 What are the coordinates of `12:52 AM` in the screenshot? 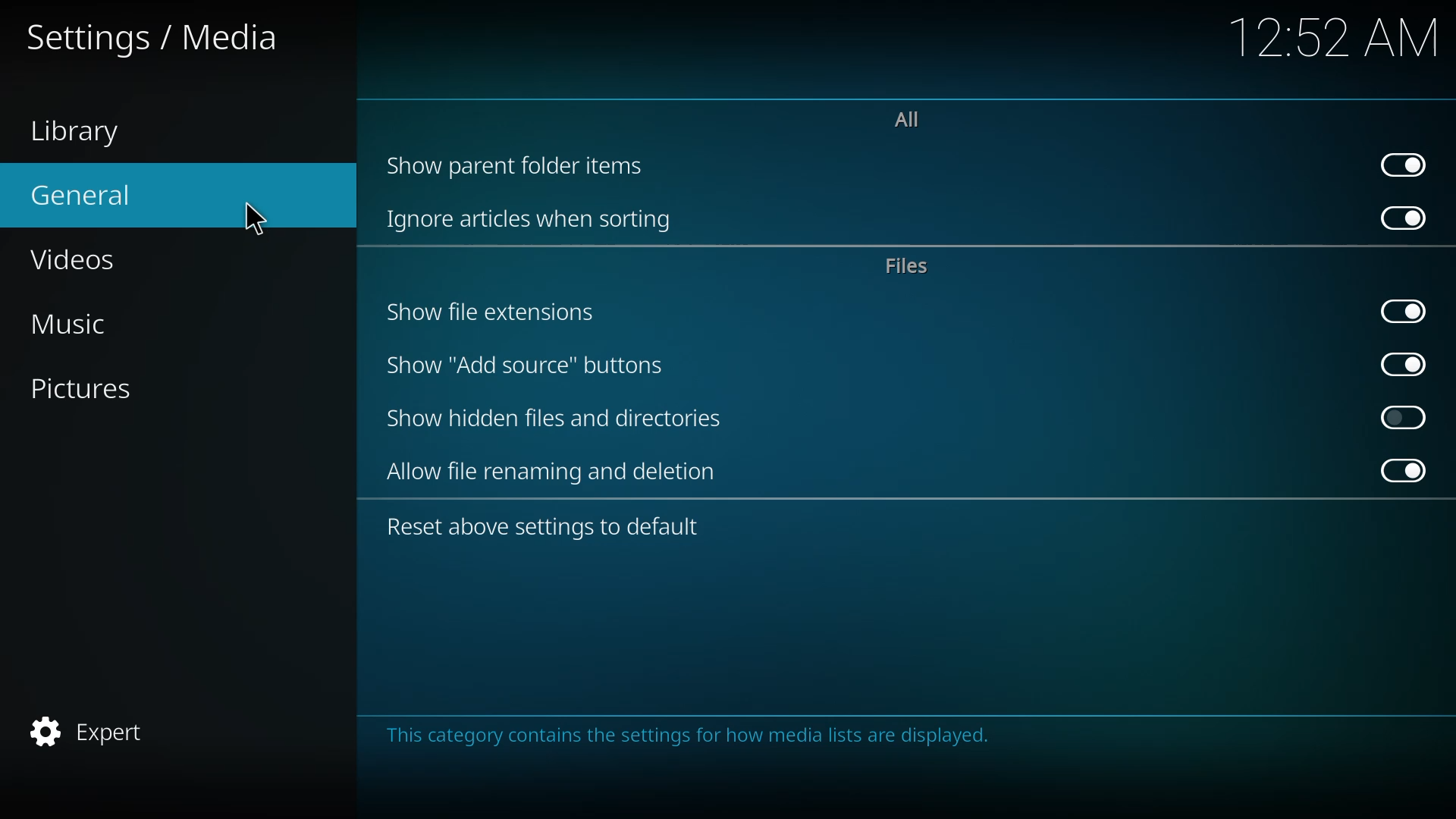 It's located at (1335, 42).